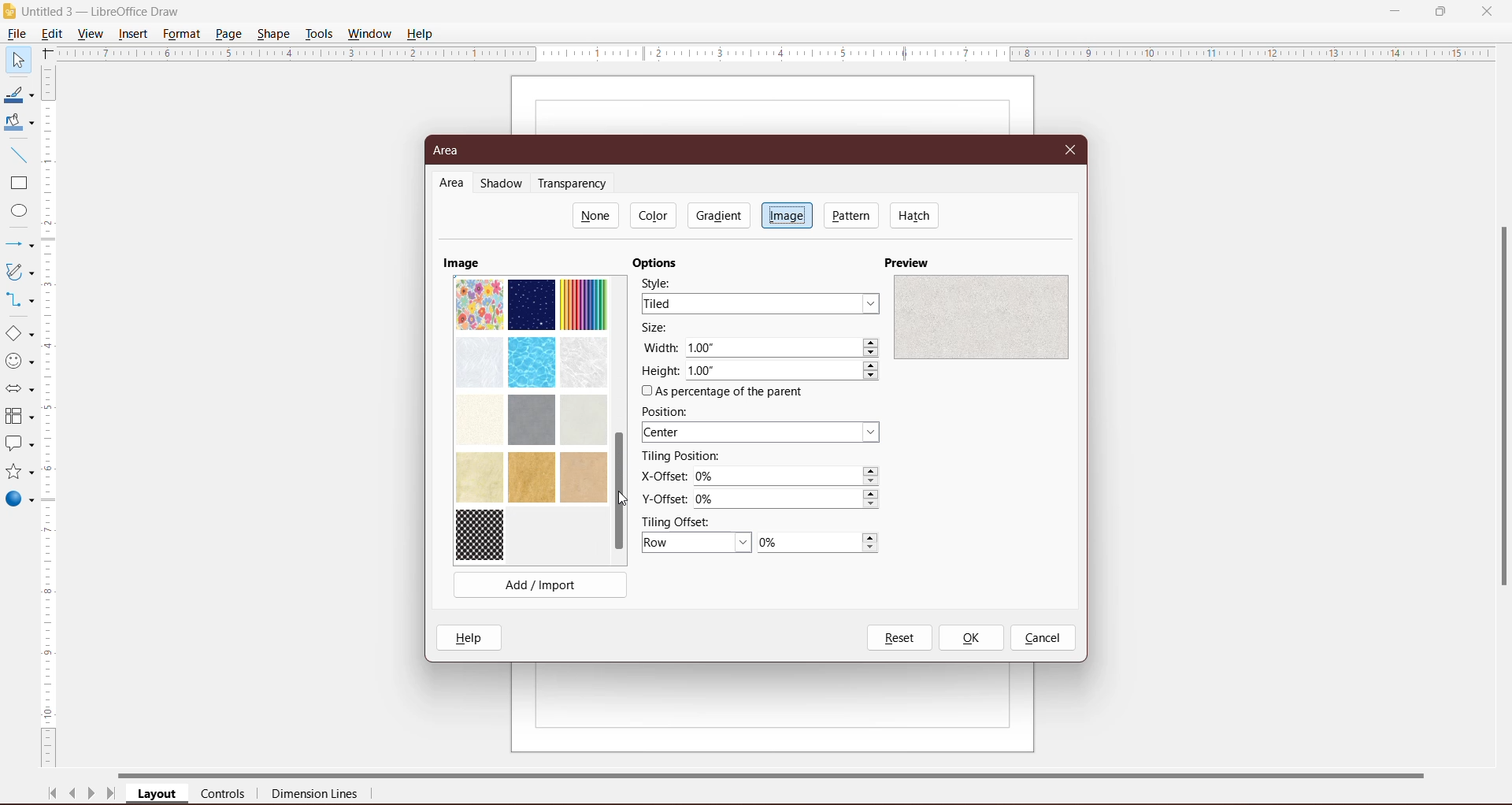 This screenshot has width=1512, height=805. Describe the element at coordinates (783, 348) in the screenshot. I see `Select required width` at that location.